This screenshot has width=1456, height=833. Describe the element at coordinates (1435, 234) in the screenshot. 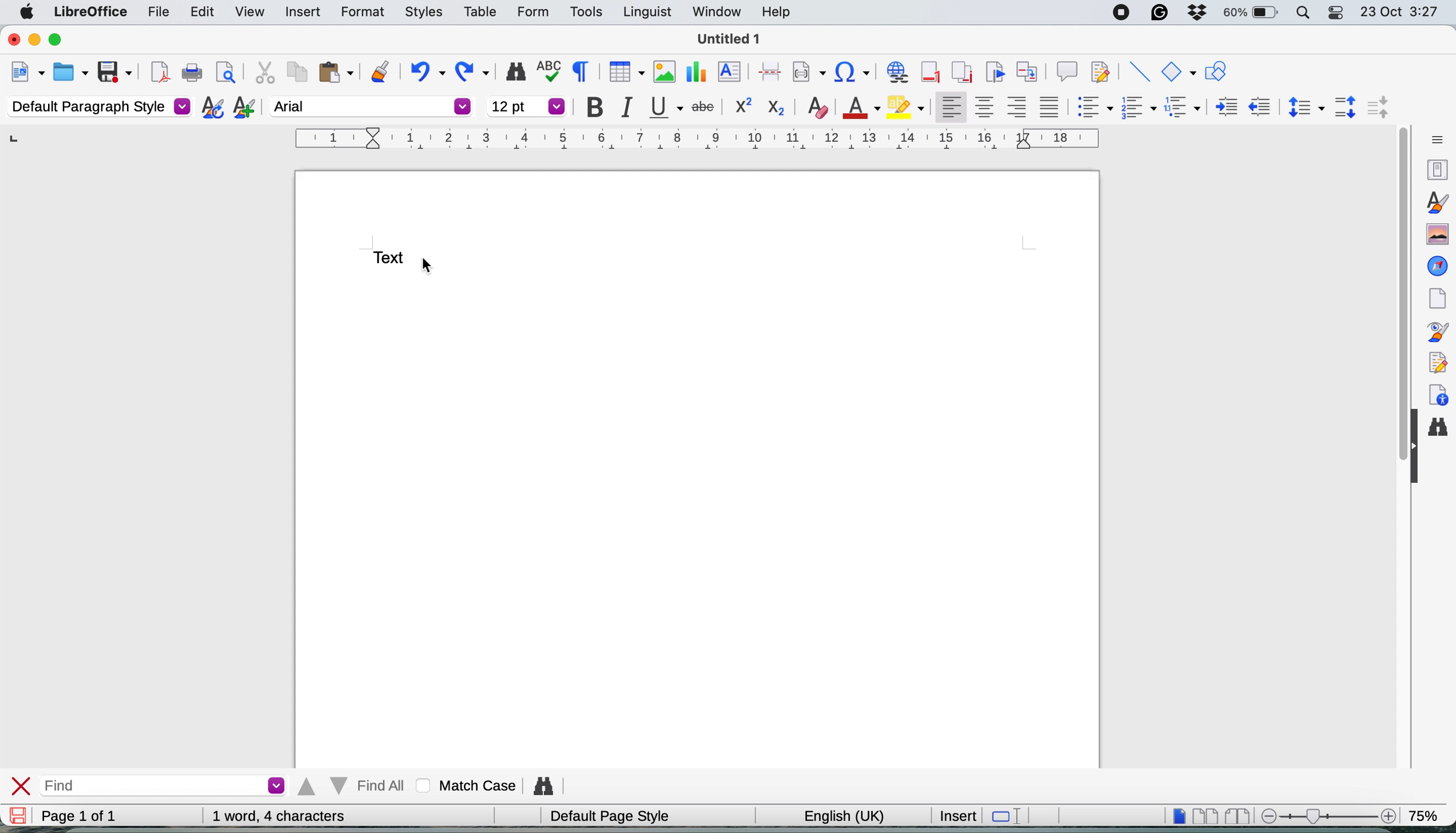

I see `gallery` at that location.